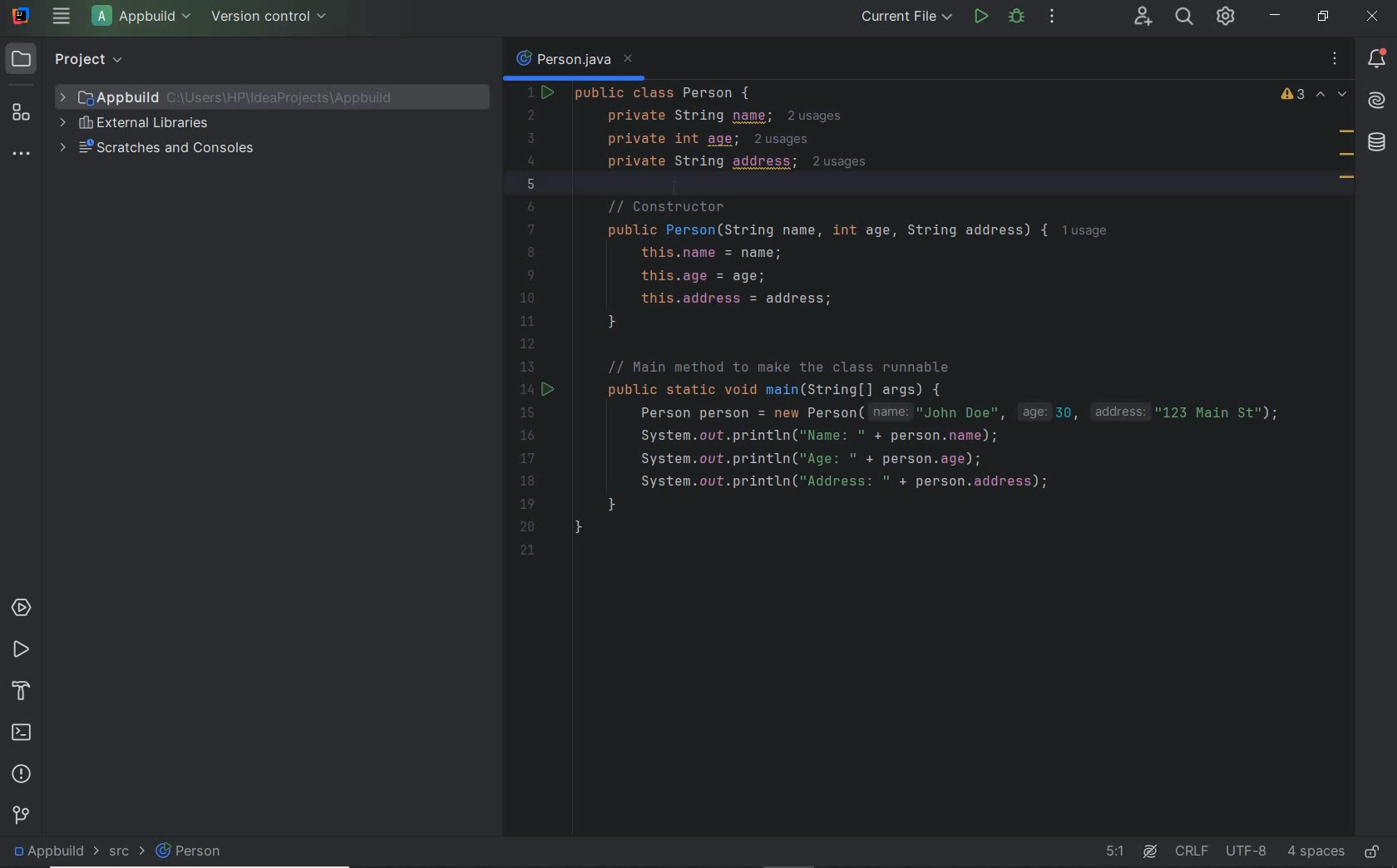 This screenshot has height=868, width=1397. What do you see at coordinates (981, 17) in the screenshot?
I see `run` at bounding box center [981, 17].